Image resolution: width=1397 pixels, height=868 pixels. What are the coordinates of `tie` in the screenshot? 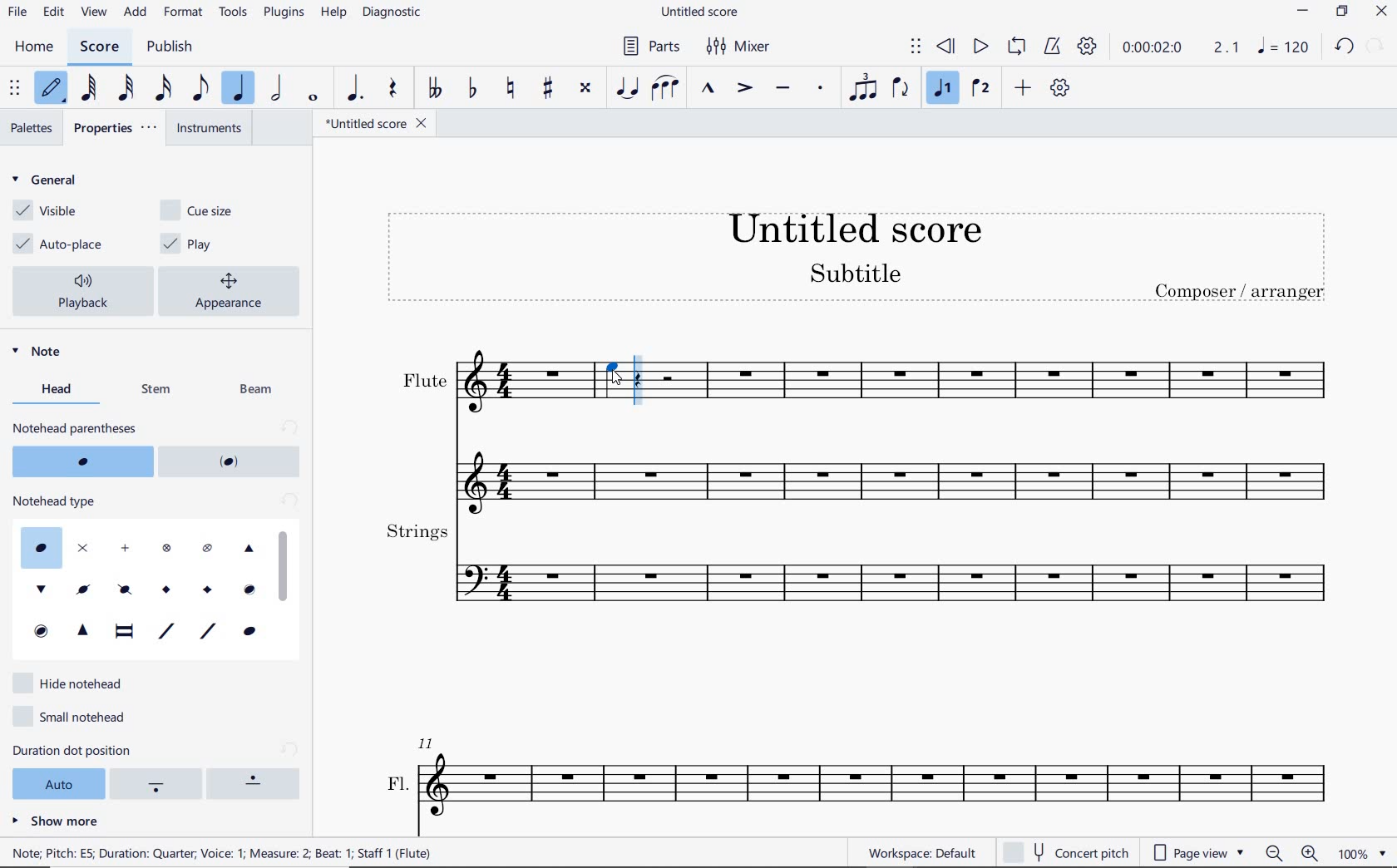 It's located at (627, 87).